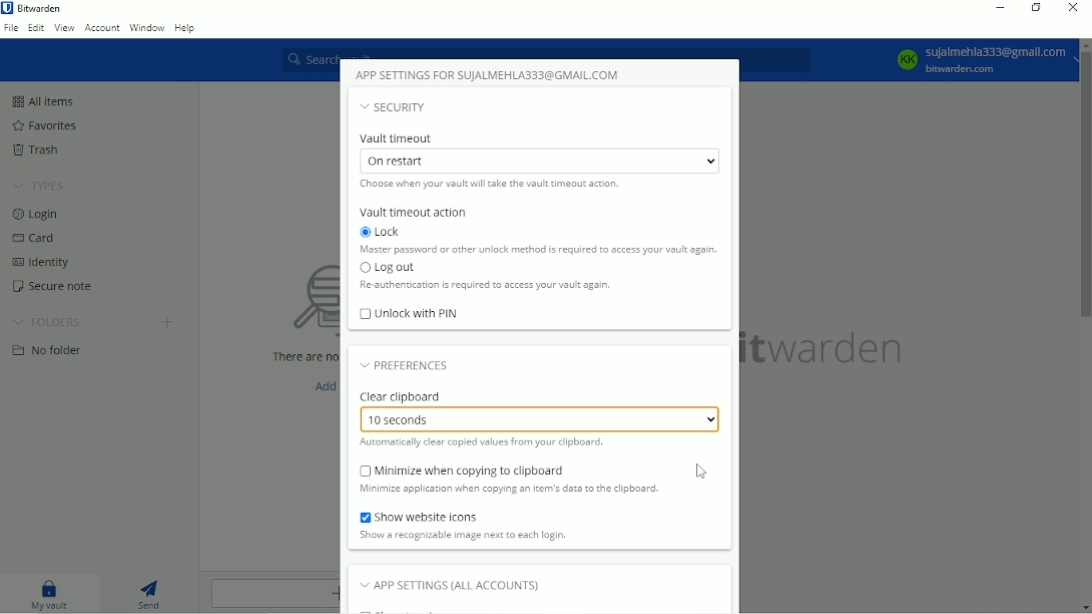  I want to click on KK Sujalmehla333@gmail.com      bitwarden.com, so click(982, 60).